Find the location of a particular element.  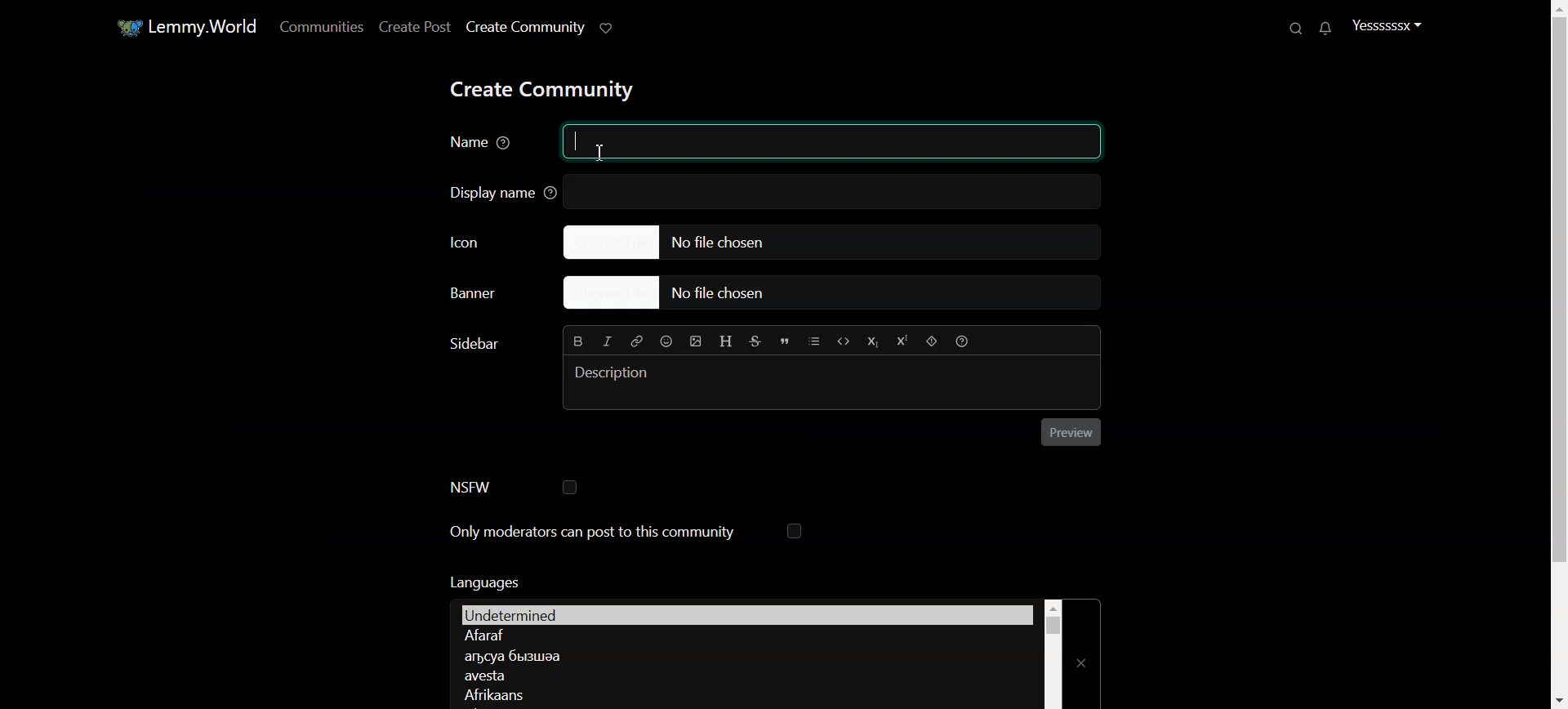

Superscript is located at coordinates (901, 341).